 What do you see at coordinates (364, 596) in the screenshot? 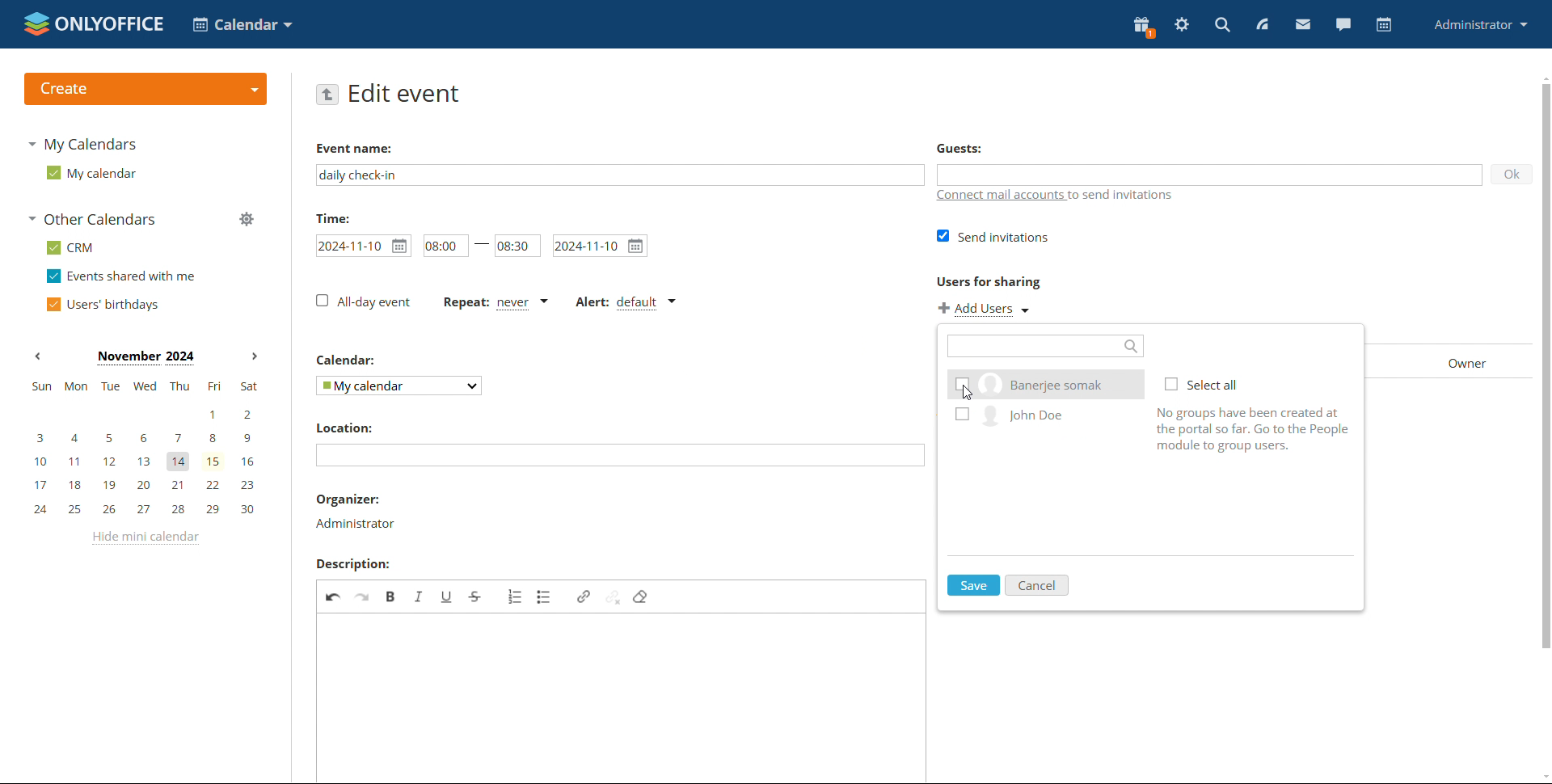
I see `redo` at bounding box center [364, 596].